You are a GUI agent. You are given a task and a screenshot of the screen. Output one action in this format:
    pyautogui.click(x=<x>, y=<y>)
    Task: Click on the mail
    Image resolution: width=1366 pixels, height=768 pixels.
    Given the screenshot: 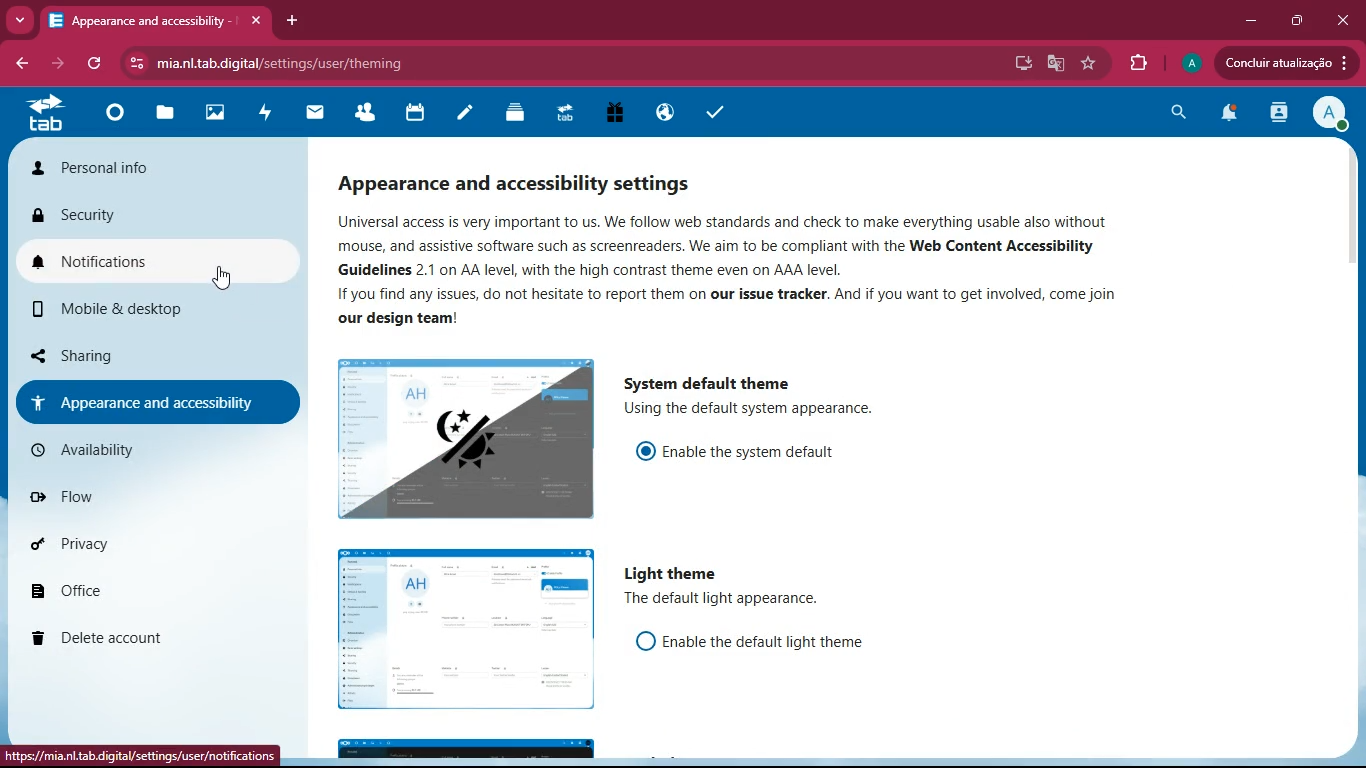 What is the action you would take?
    pyautogui.click(x=314, y=115)
    